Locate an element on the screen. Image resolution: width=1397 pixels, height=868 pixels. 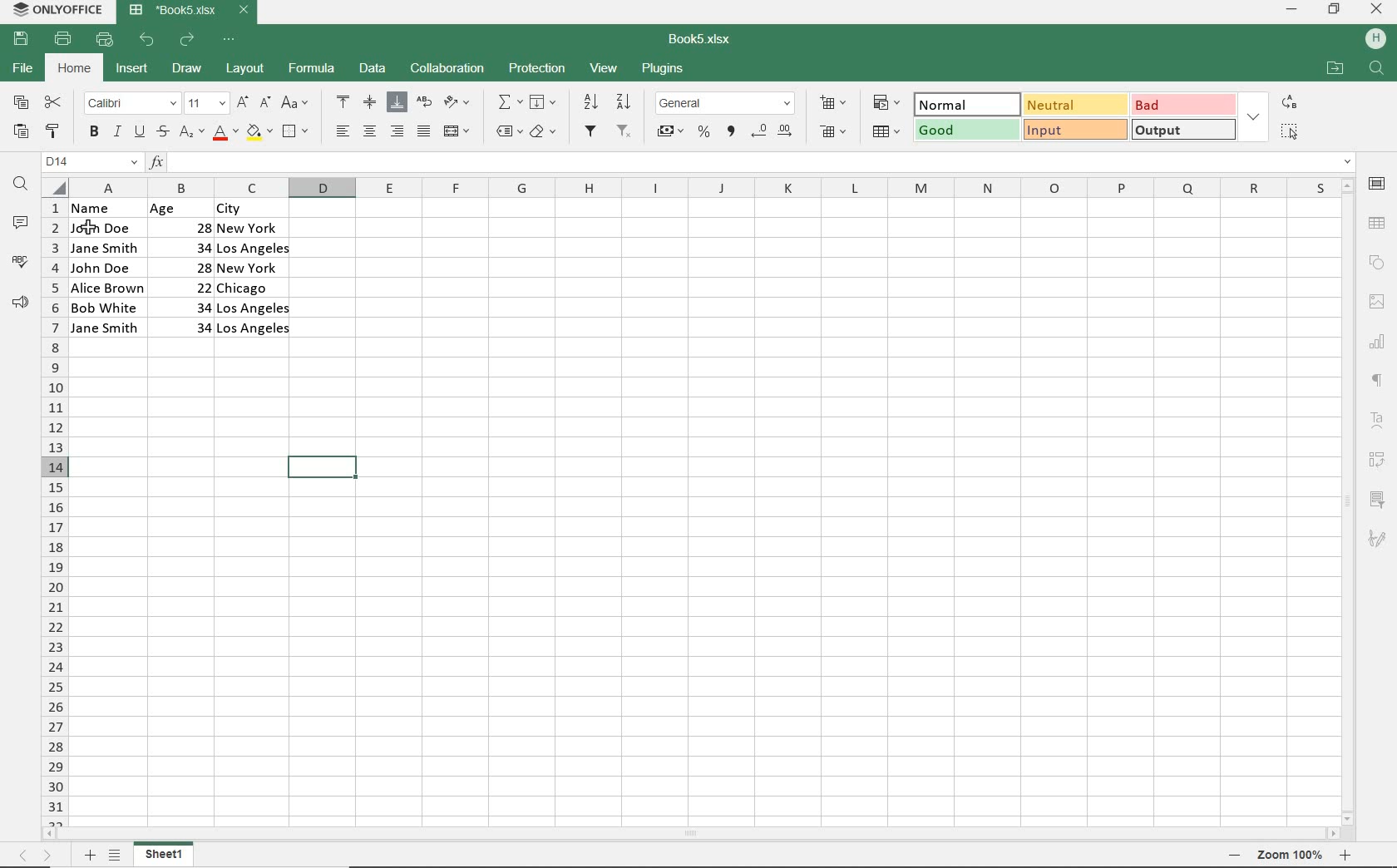
OPEN FILE LOCATION is located at coordinates (1335, 70).